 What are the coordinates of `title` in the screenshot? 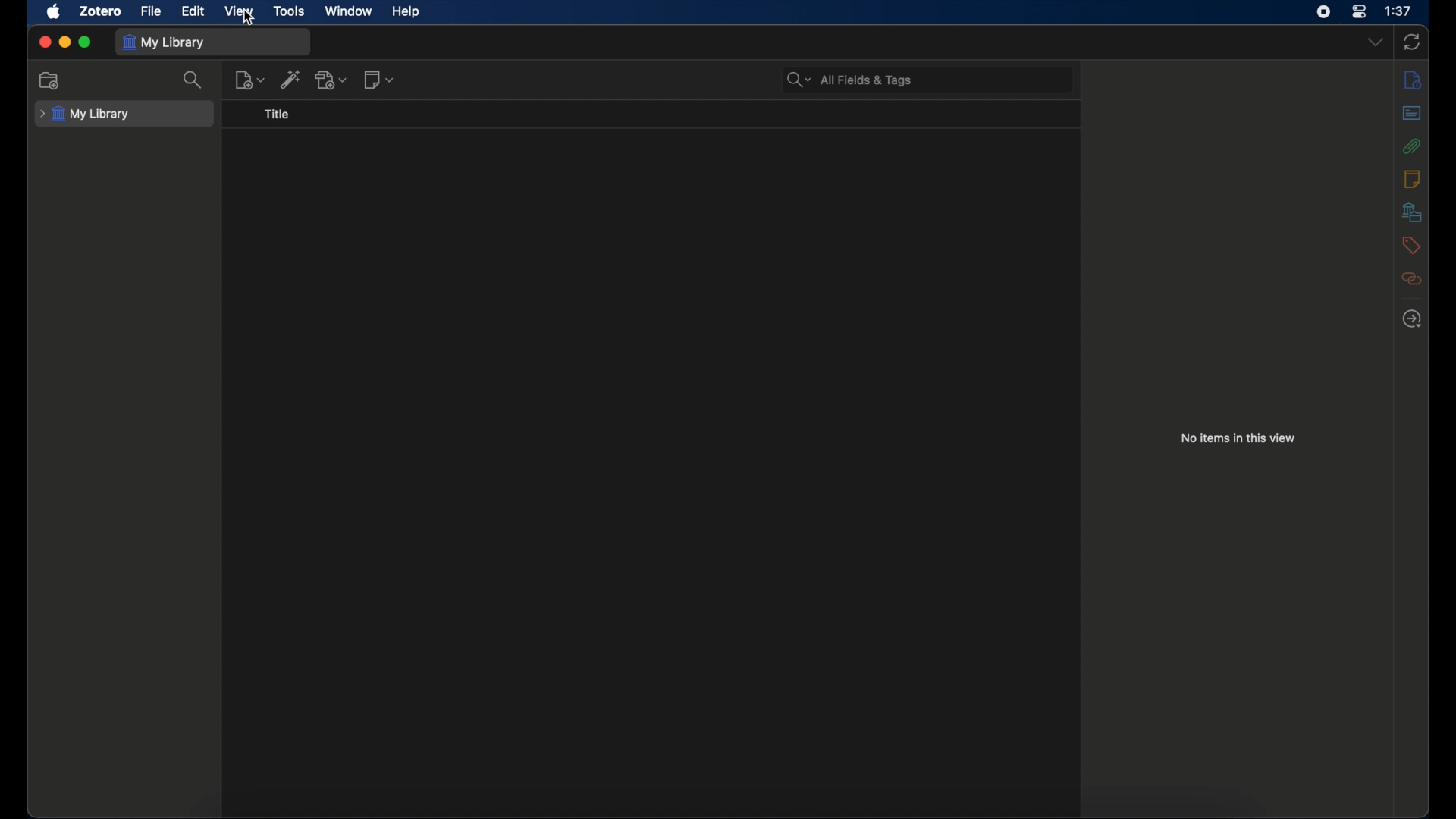 It's located at (282, 118).